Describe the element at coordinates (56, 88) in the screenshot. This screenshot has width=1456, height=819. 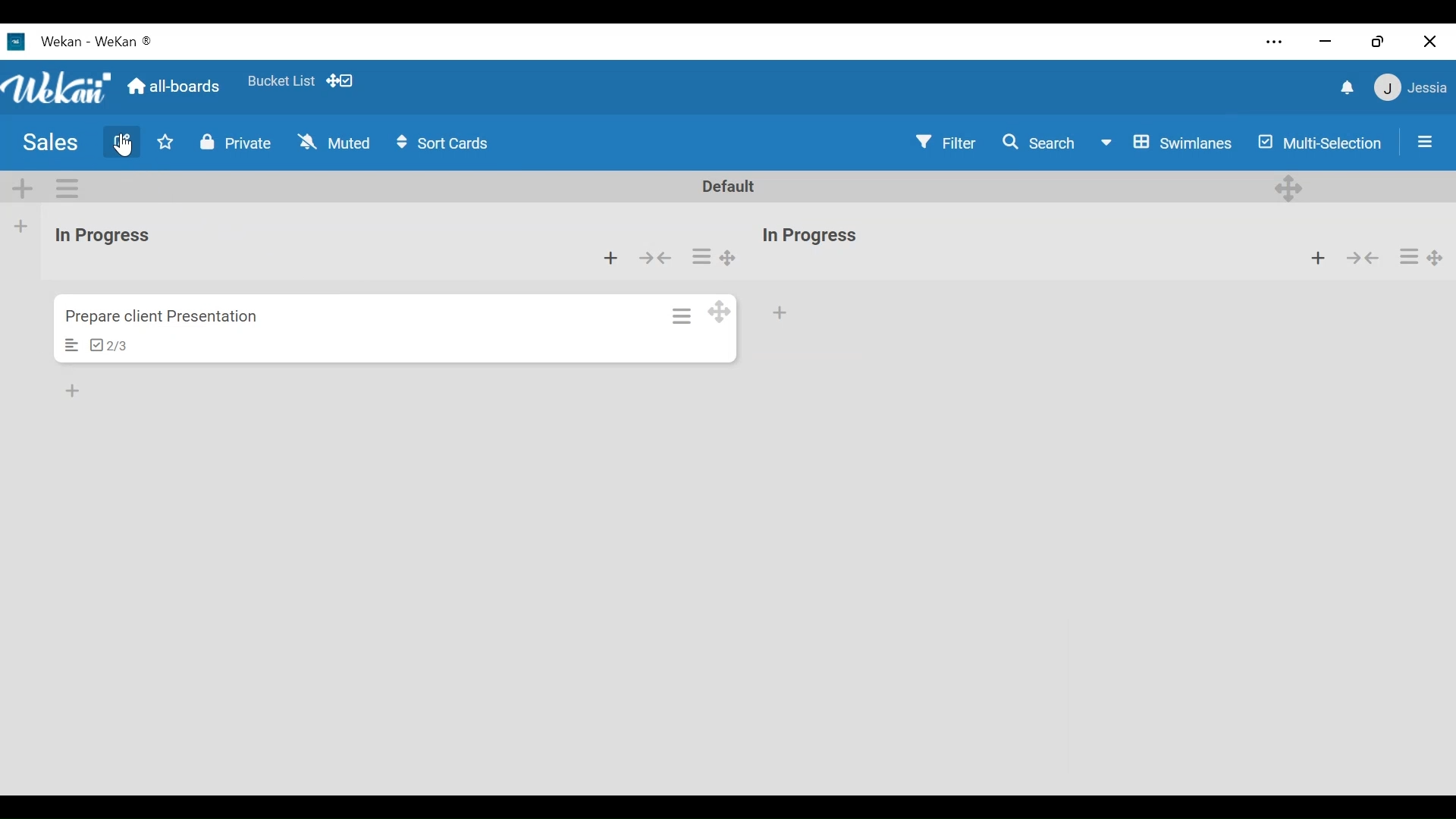
I see `Wekan logo` at that location.